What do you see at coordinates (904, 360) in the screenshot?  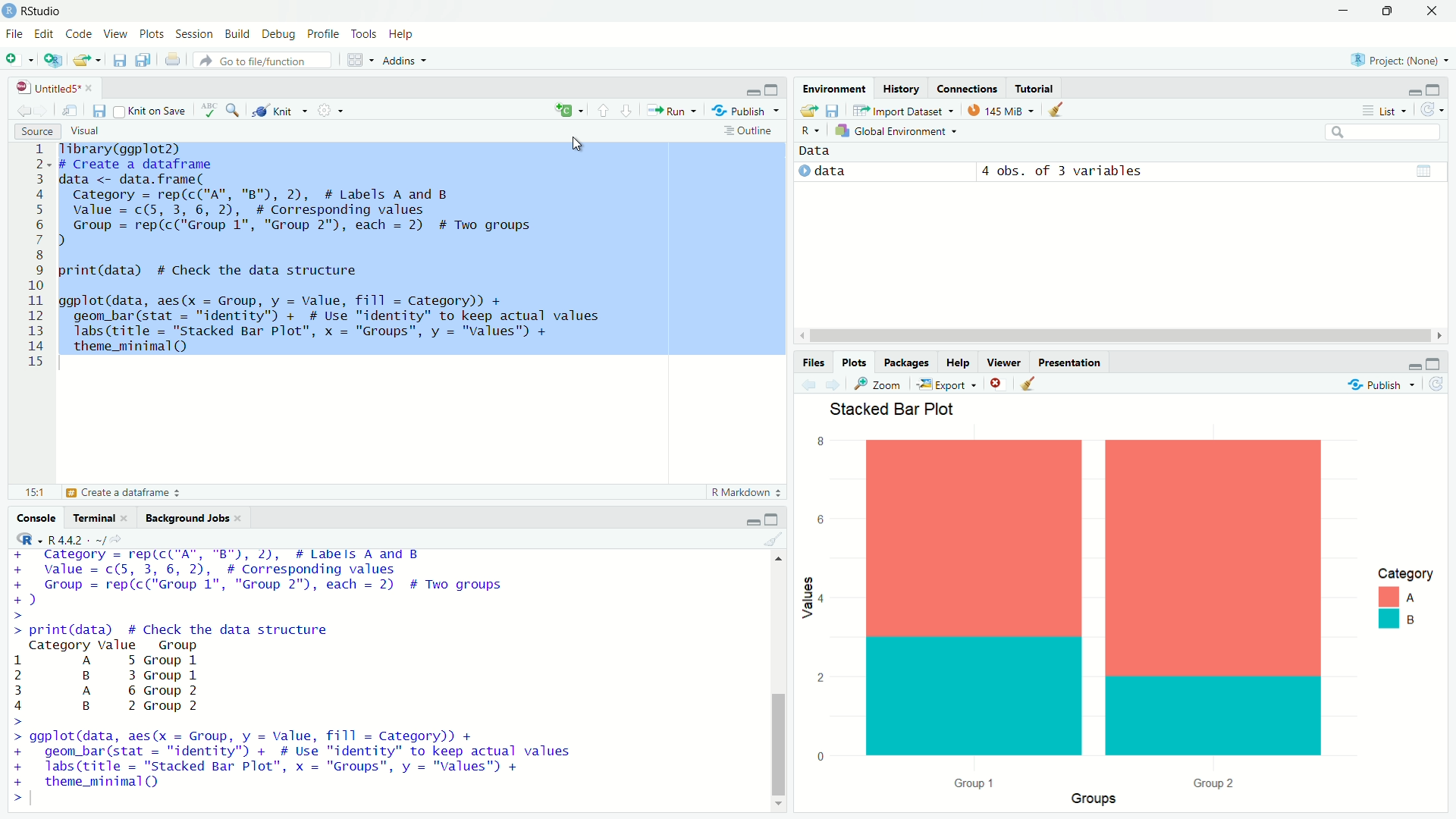 I see `Packages` at bounding box center [904, 360].